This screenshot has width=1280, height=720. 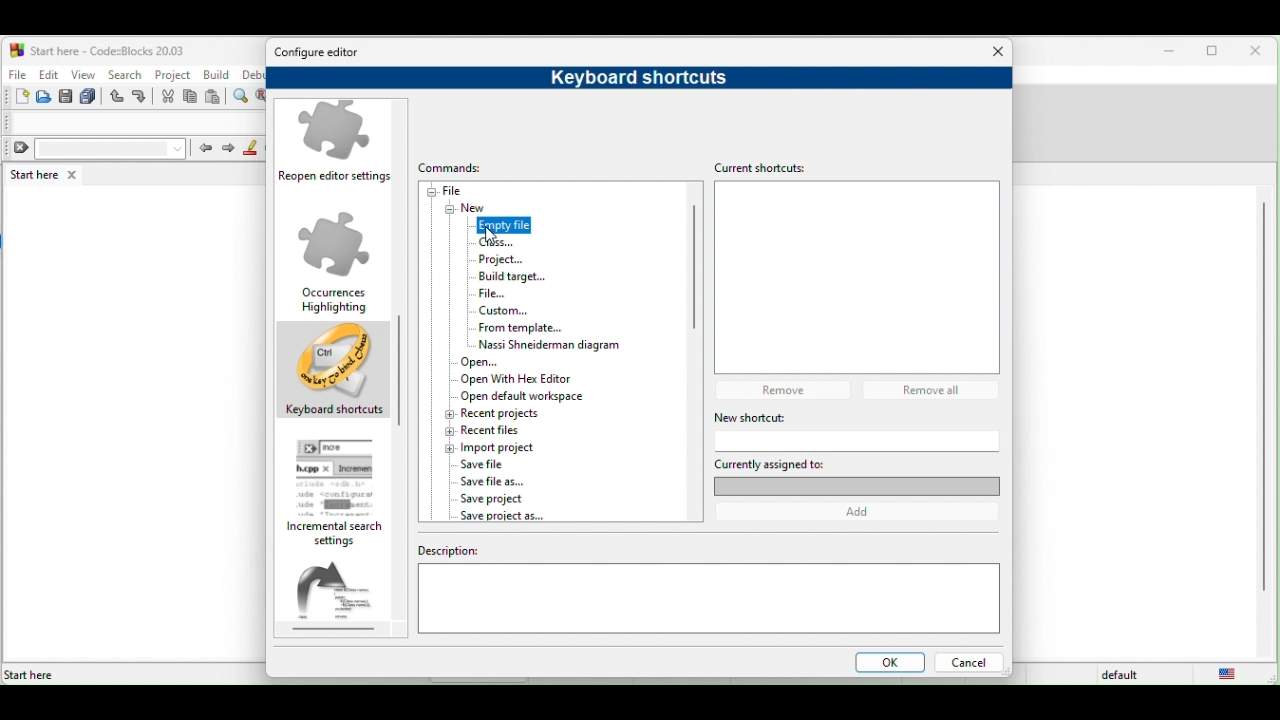 What do you see at coordinates (505, 294) in the screenshot?
I see `file` at bounding box center [505, 294].